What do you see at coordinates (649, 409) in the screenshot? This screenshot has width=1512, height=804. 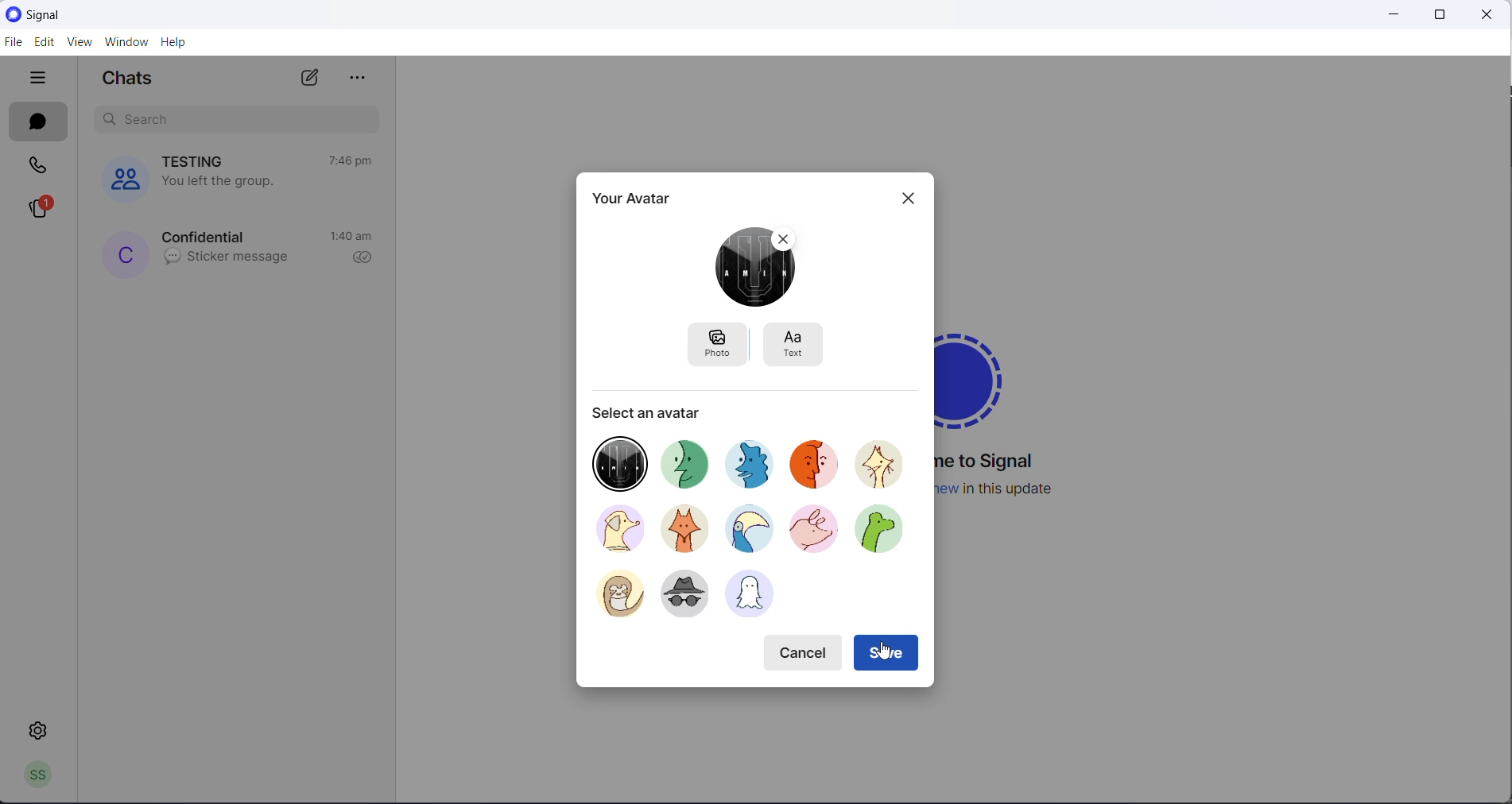 I see `select avatar heading` at bounding box center [649, 409].